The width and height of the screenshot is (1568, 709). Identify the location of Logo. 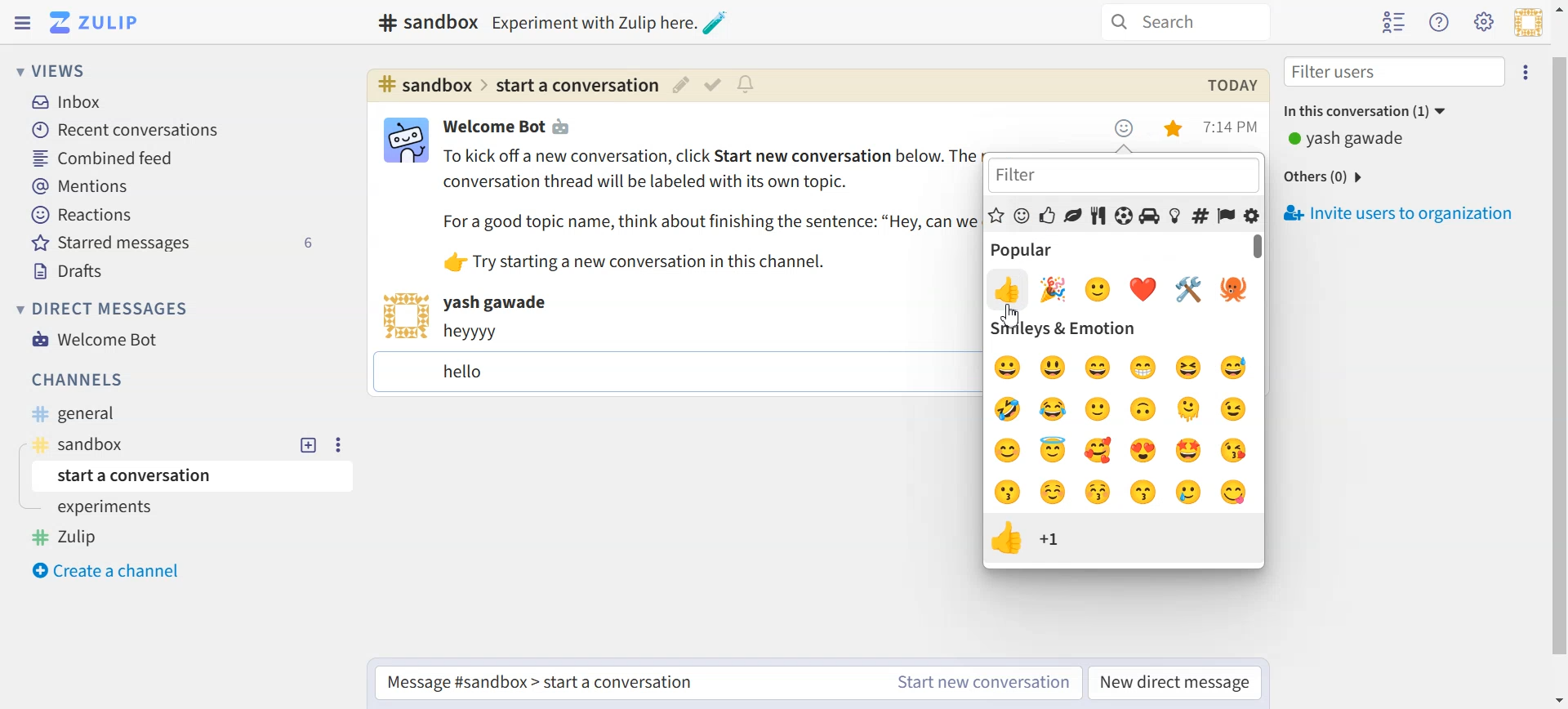
(93, 22).